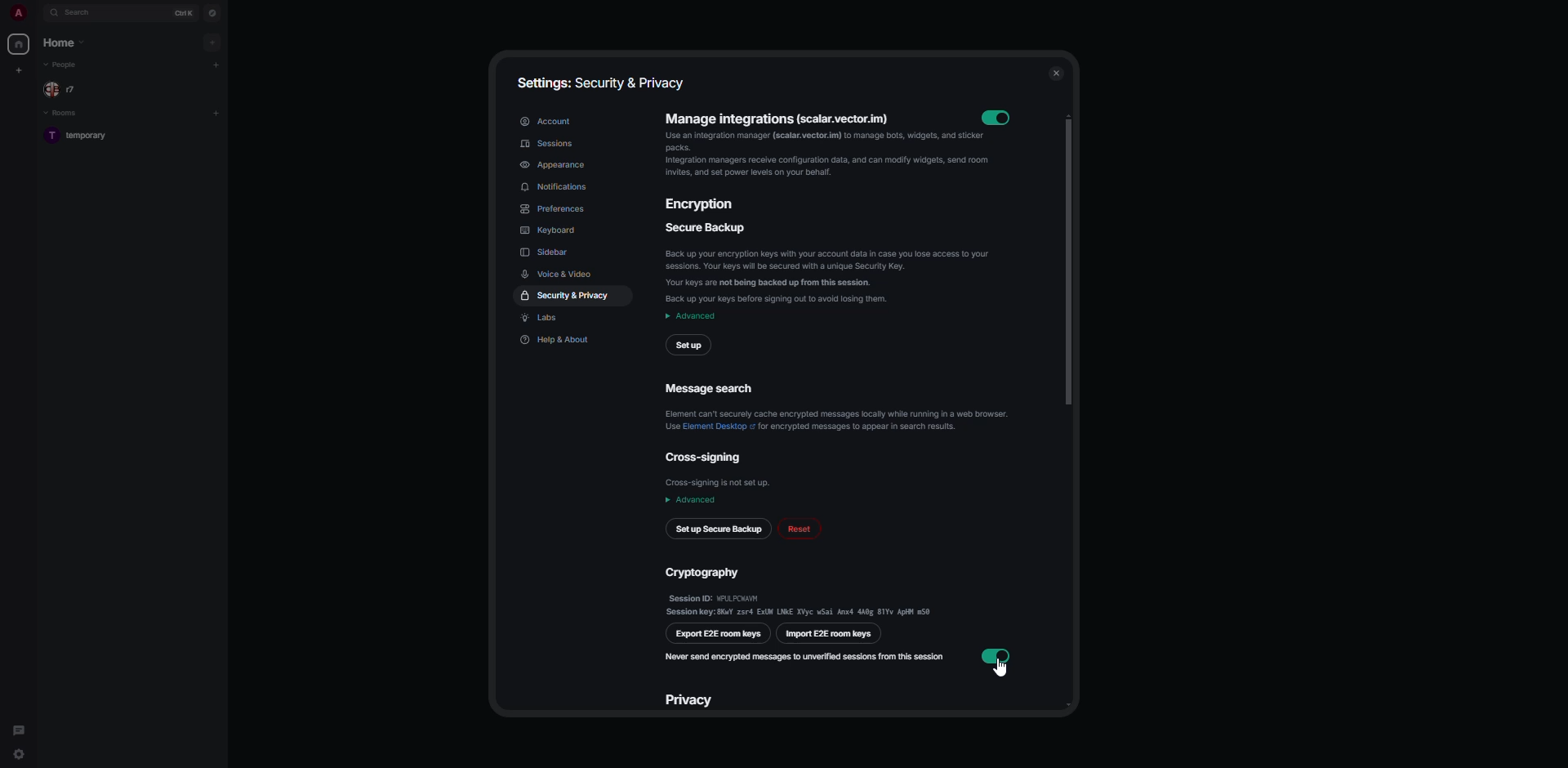  What do you see at coordinates (212, 42) in the screenshot?
I see `add` at bounding box center [212, 42].